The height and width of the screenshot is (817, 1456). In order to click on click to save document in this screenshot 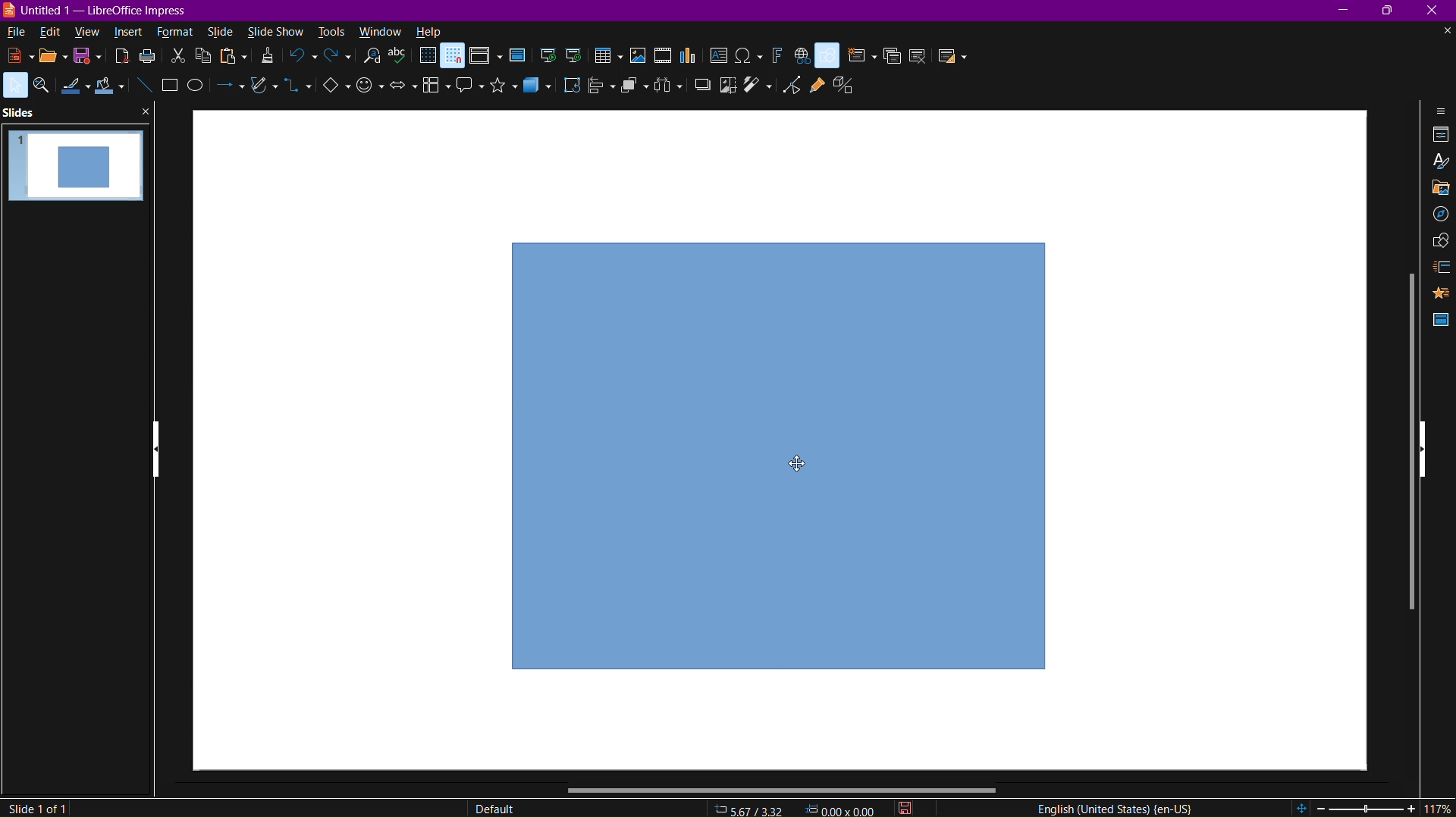, I will do `click(904, 808)`.